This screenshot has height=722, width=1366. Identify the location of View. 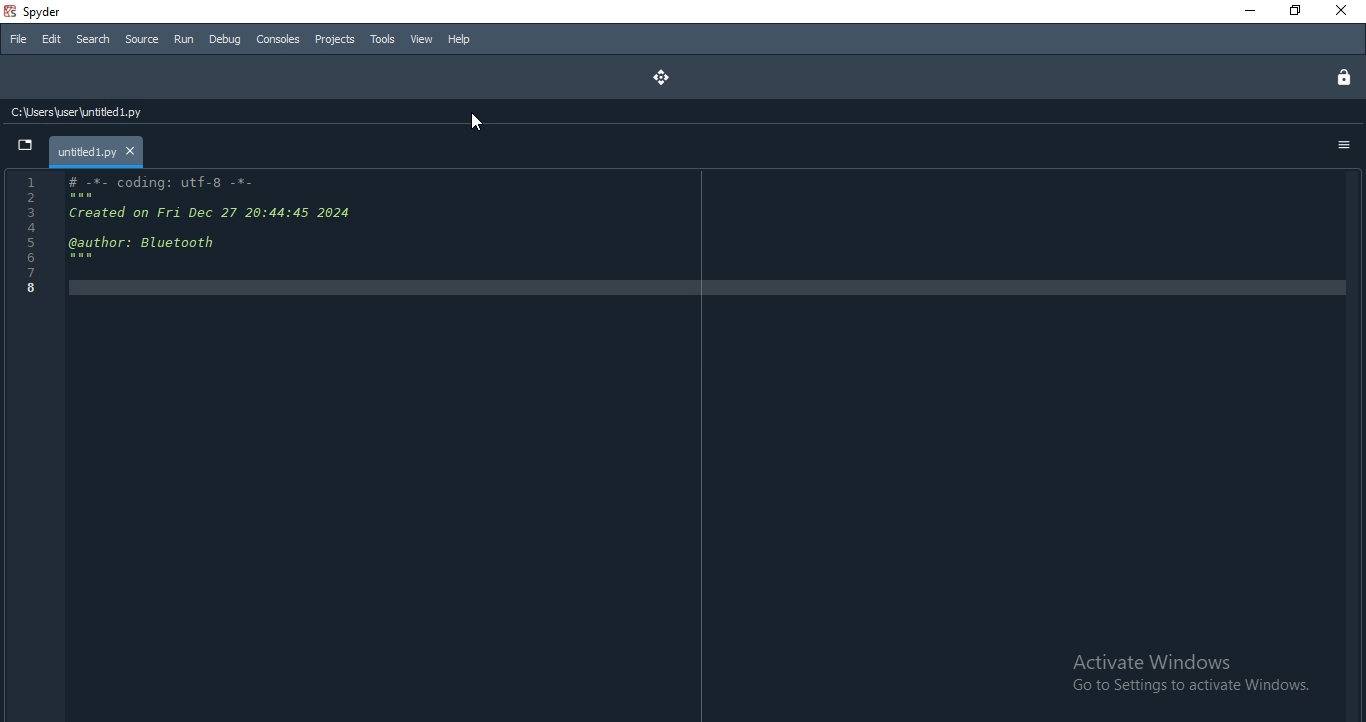
(422, 39).